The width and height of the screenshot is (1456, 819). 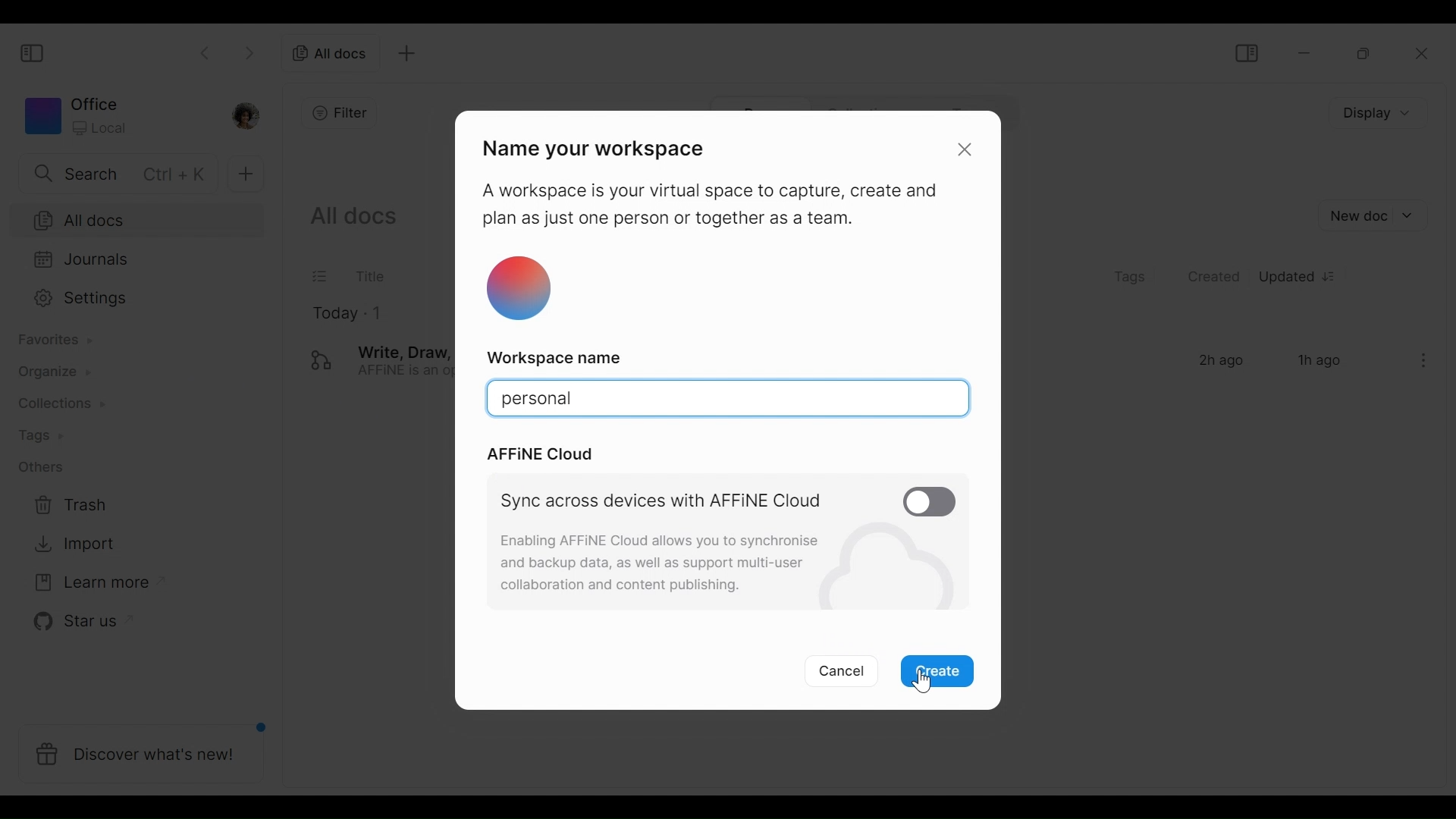 What do you see at coordinates (135, 218) in the screenshot?
I see `All documents` at bounding box center [135, 218].